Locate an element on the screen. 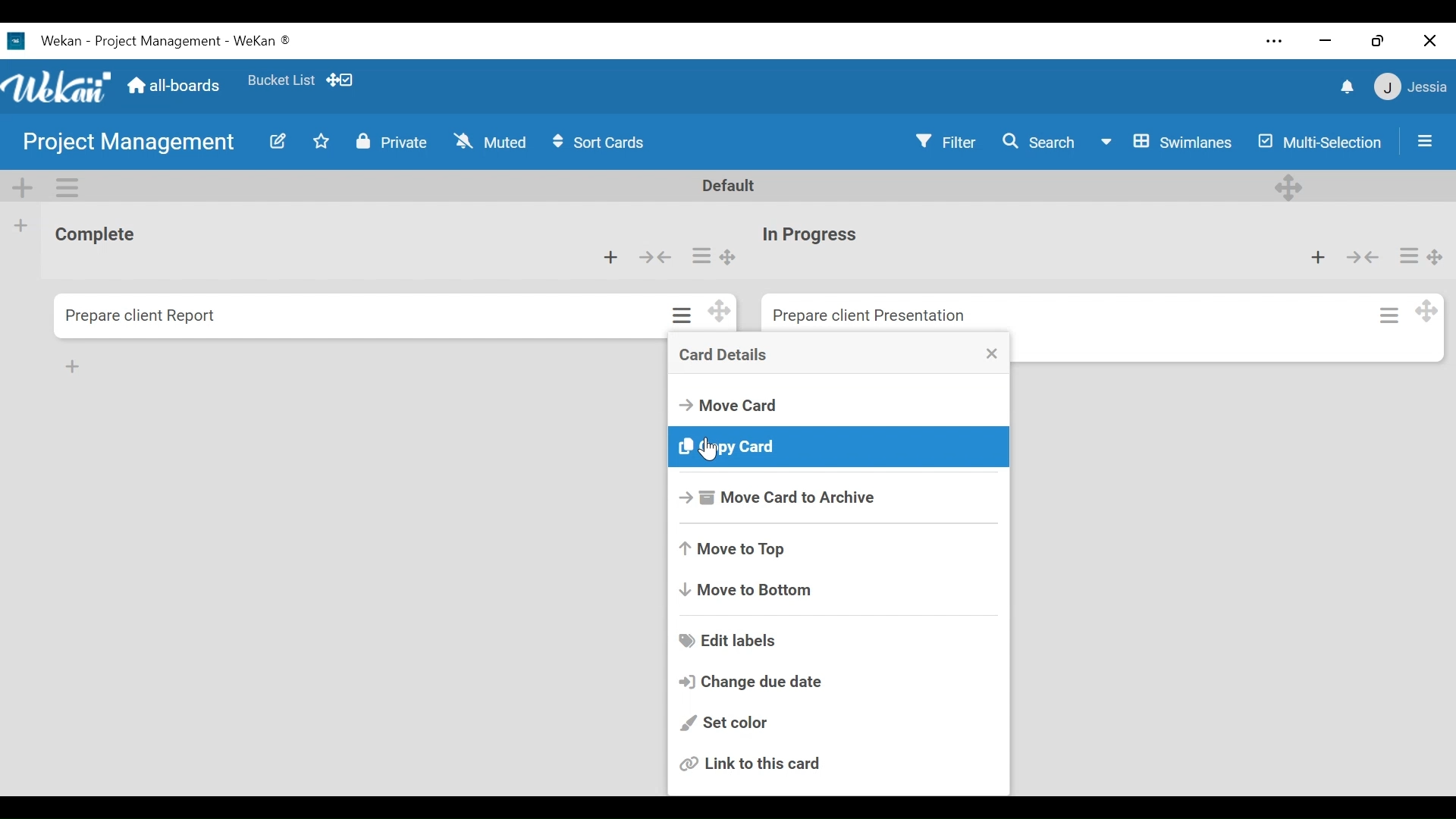 The image size is (1456, 819). Collapse is located at coordinates (1363, 257).